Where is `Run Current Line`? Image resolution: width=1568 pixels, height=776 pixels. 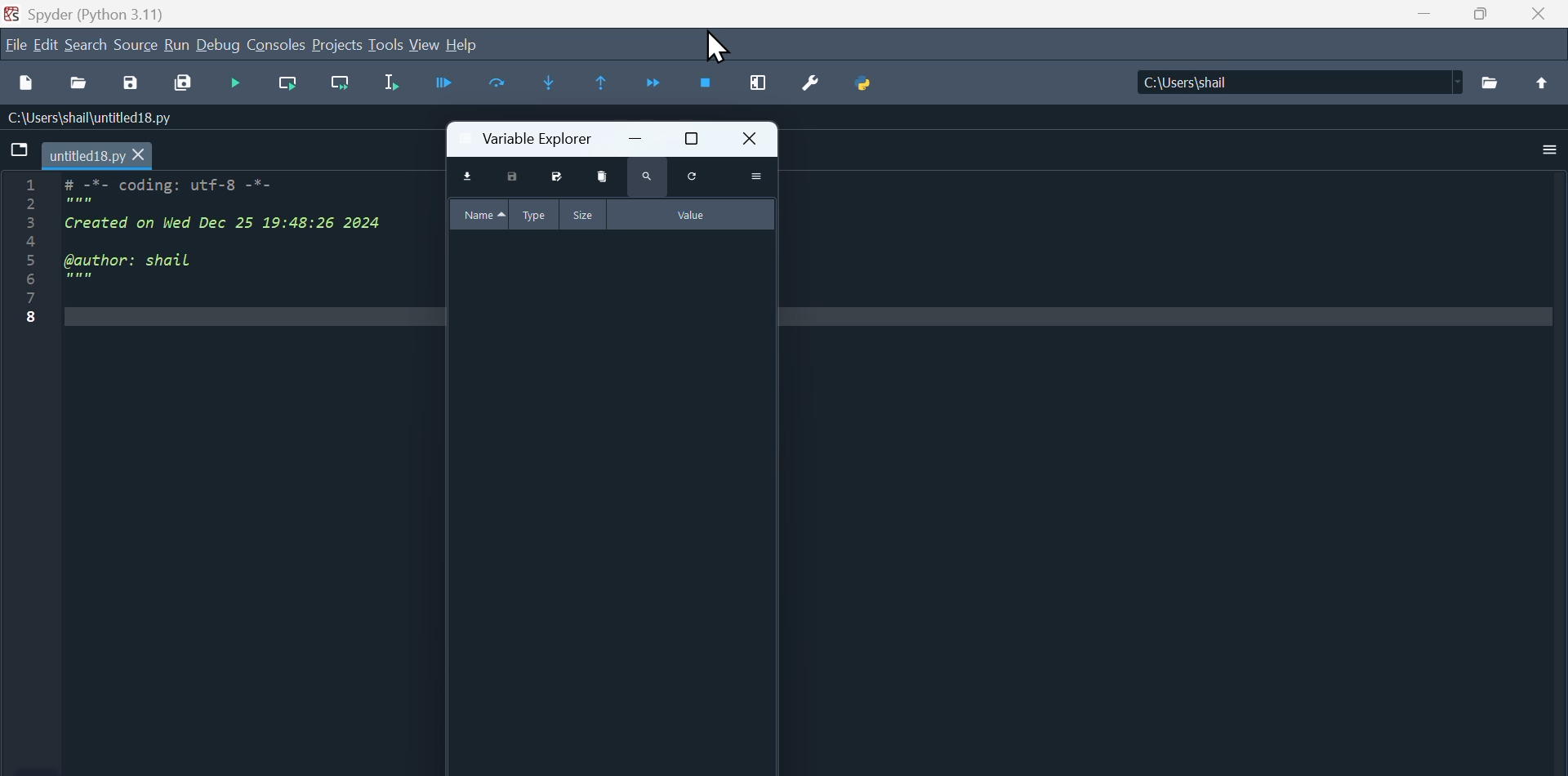
Run Current Line is located at coordinates (507, 87).